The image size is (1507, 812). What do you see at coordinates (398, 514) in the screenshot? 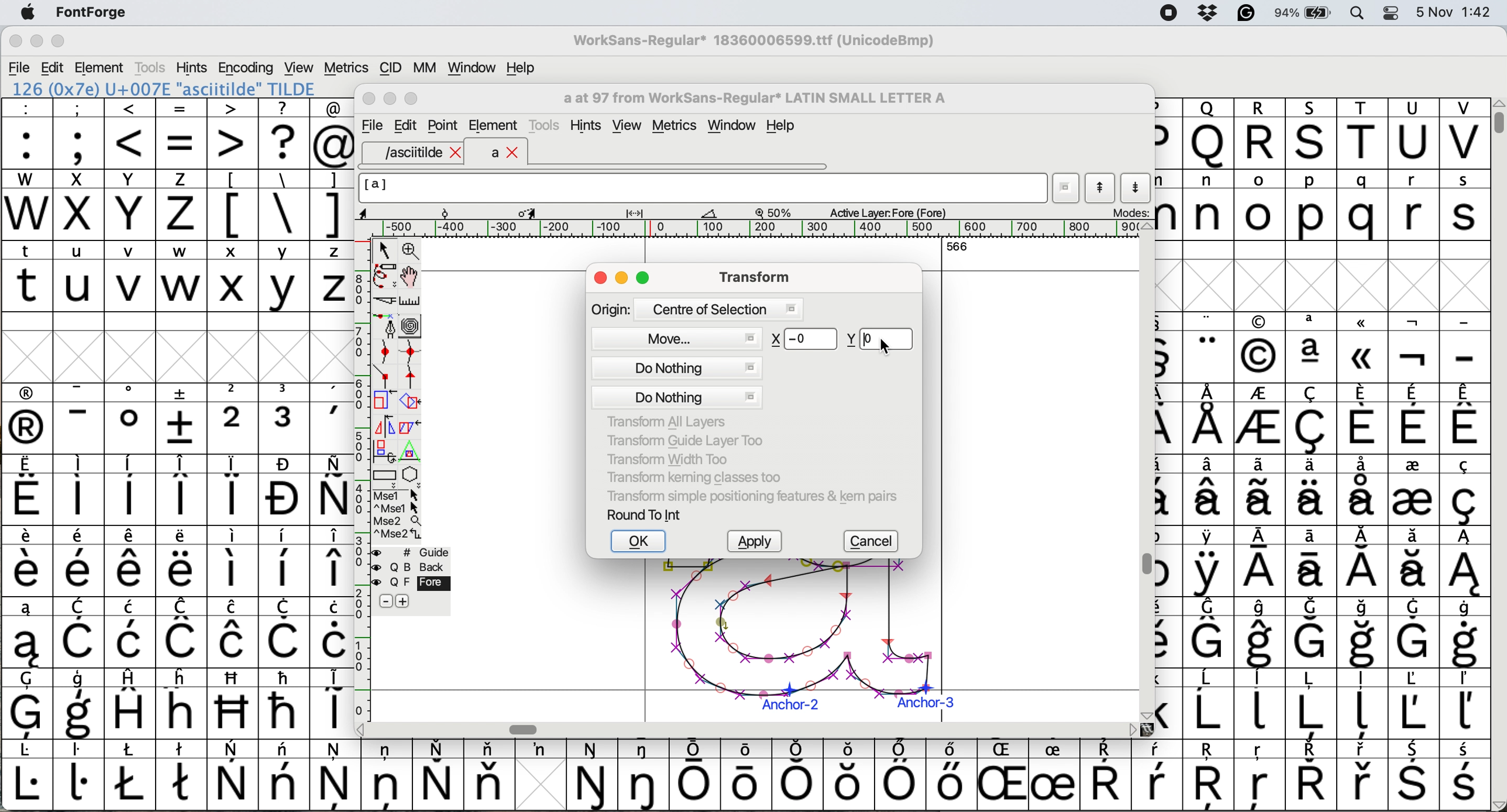
I see `more options` at bounding box center [398, 514].